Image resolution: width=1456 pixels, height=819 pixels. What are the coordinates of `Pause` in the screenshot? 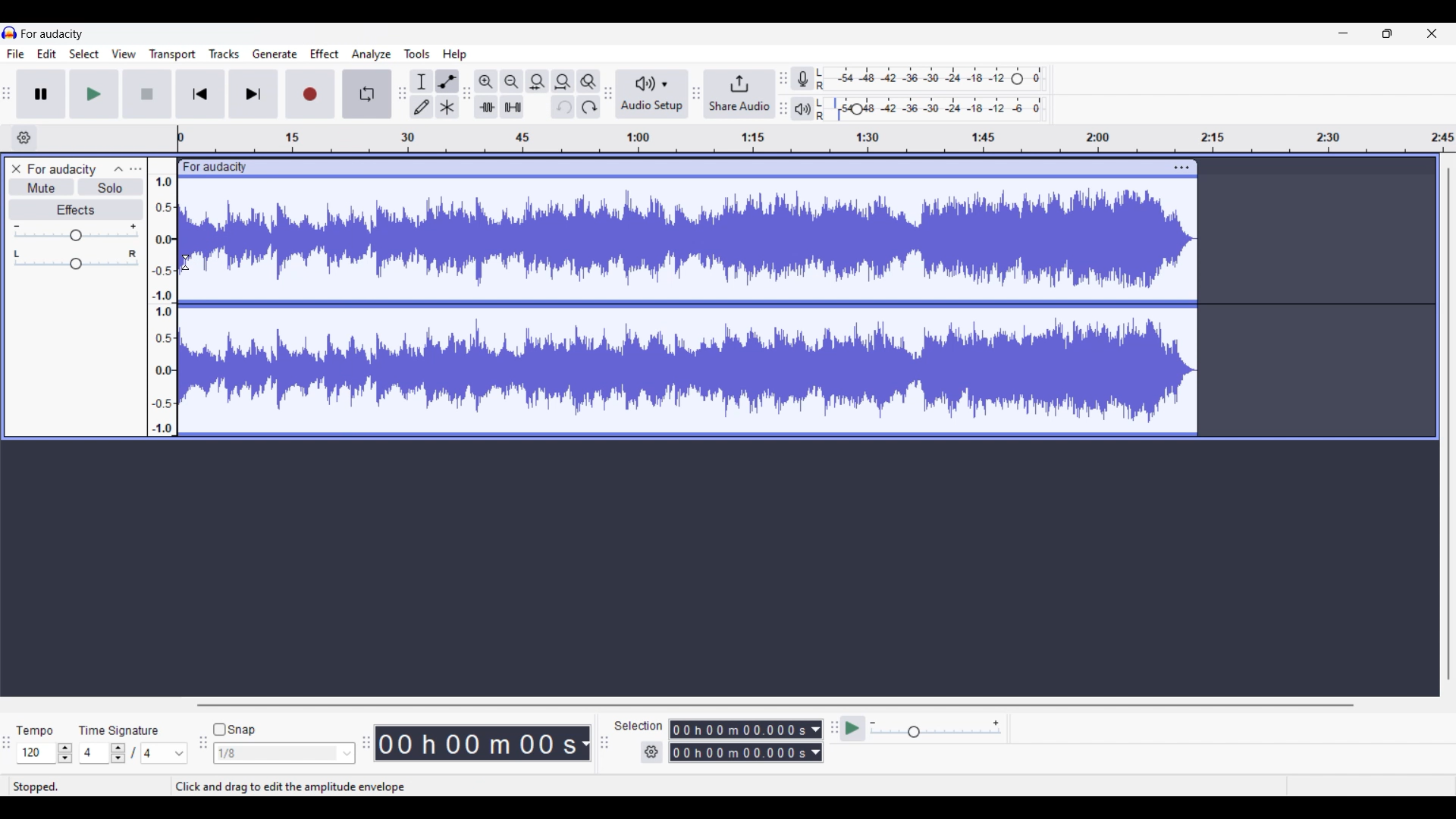 It's located at (41, 94).